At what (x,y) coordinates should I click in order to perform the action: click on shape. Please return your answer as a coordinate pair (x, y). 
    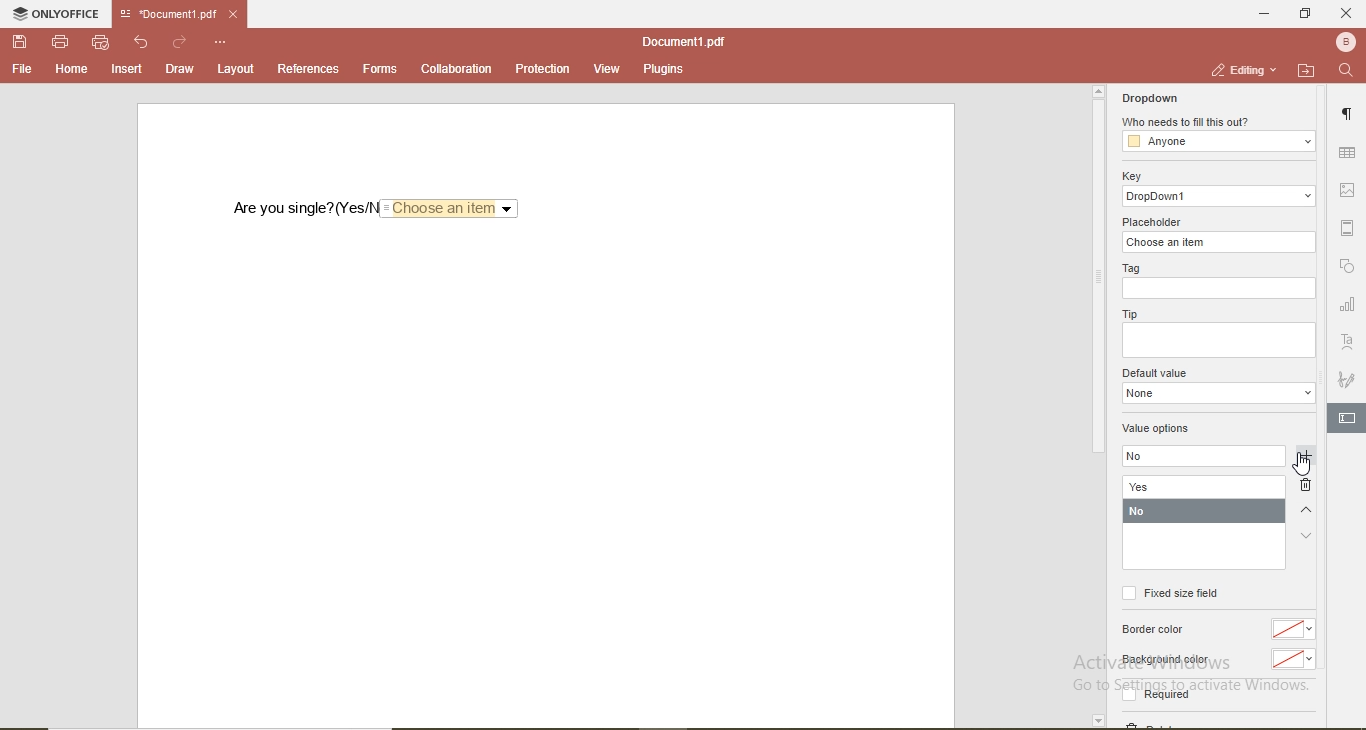
    Looking at the image, I should click on (1351, 269).